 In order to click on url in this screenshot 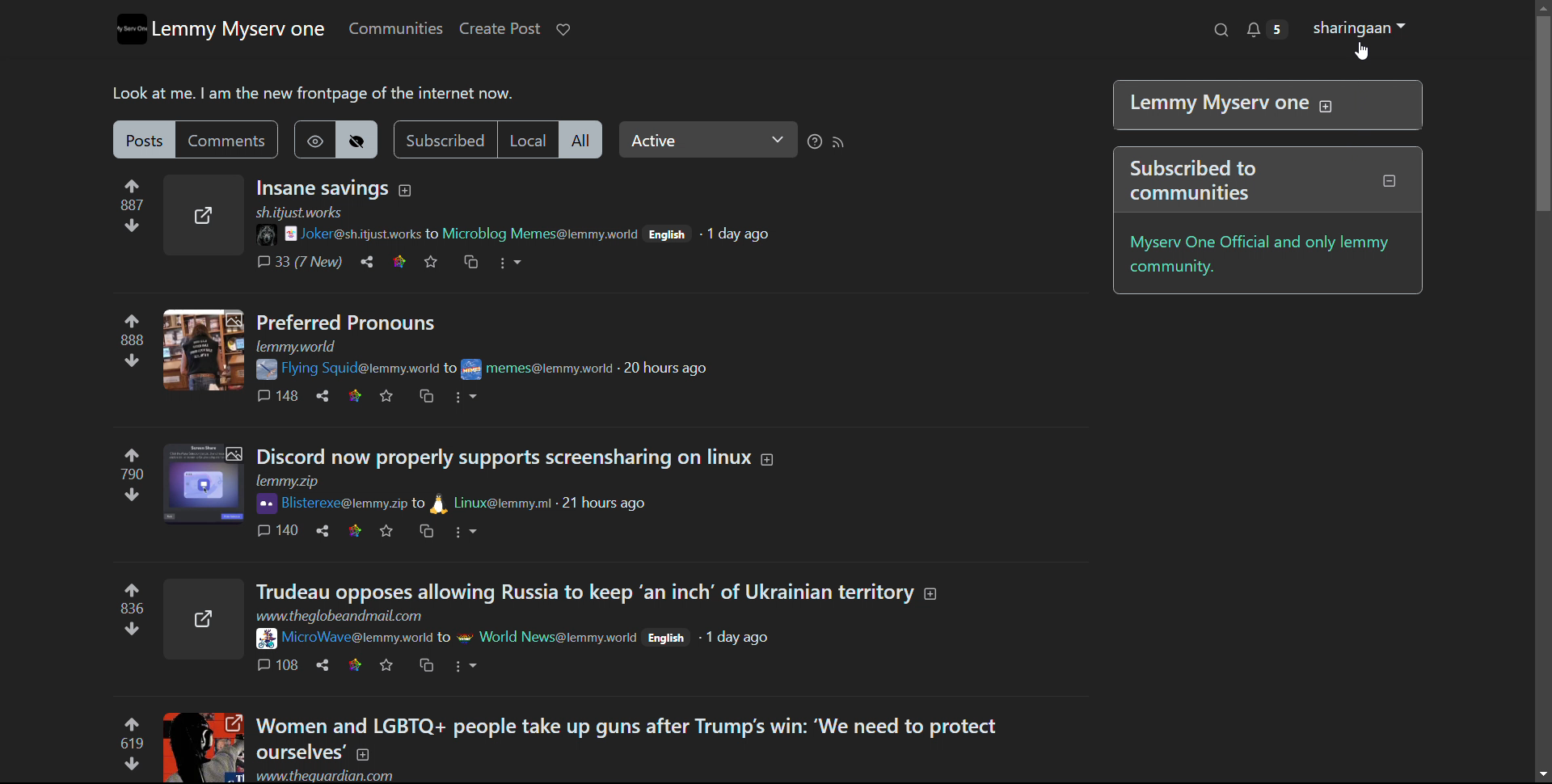, I will do `click(288, 482)`.